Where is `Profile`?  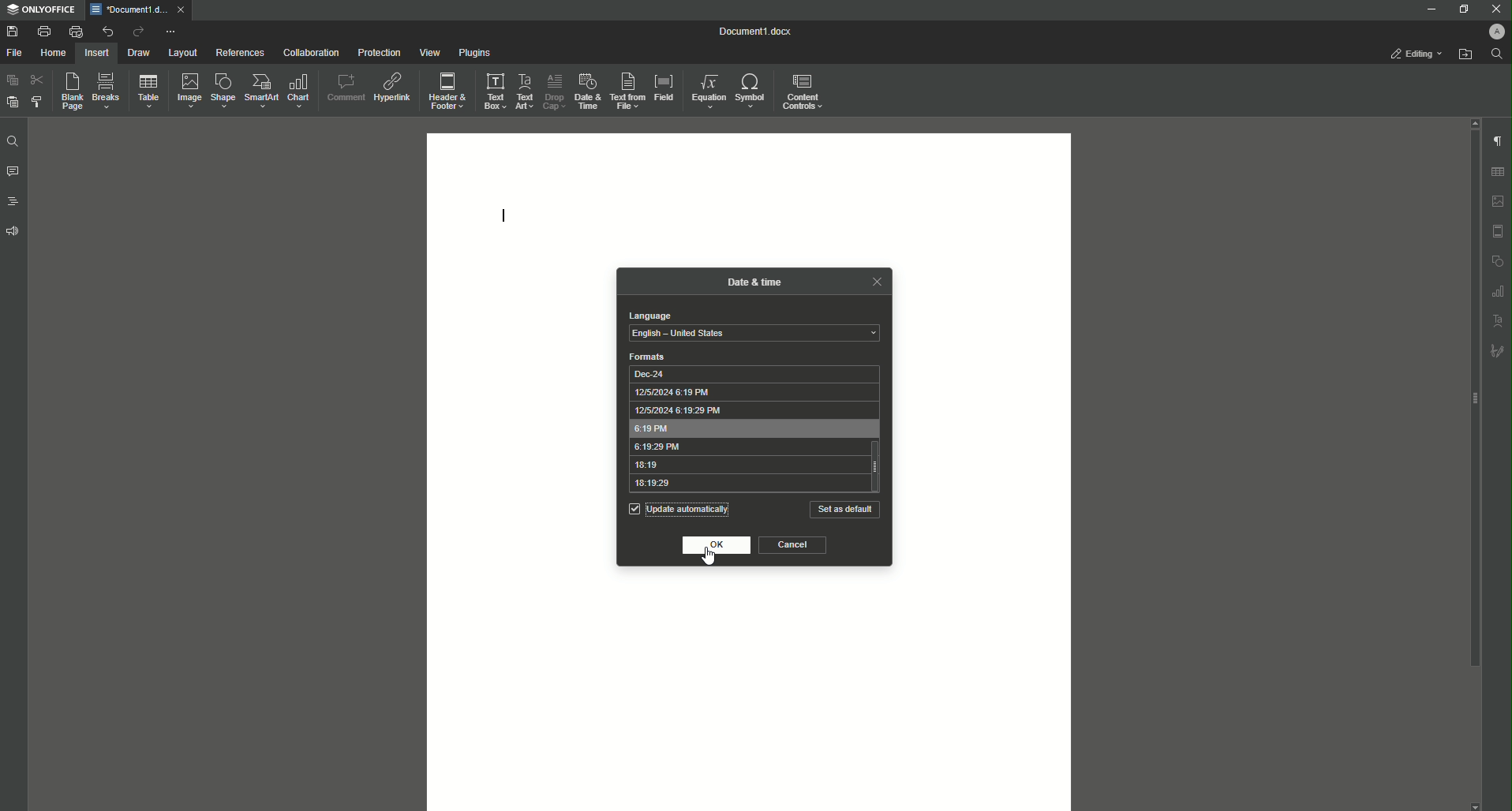 Profile is located at coordinates (1495, 31).